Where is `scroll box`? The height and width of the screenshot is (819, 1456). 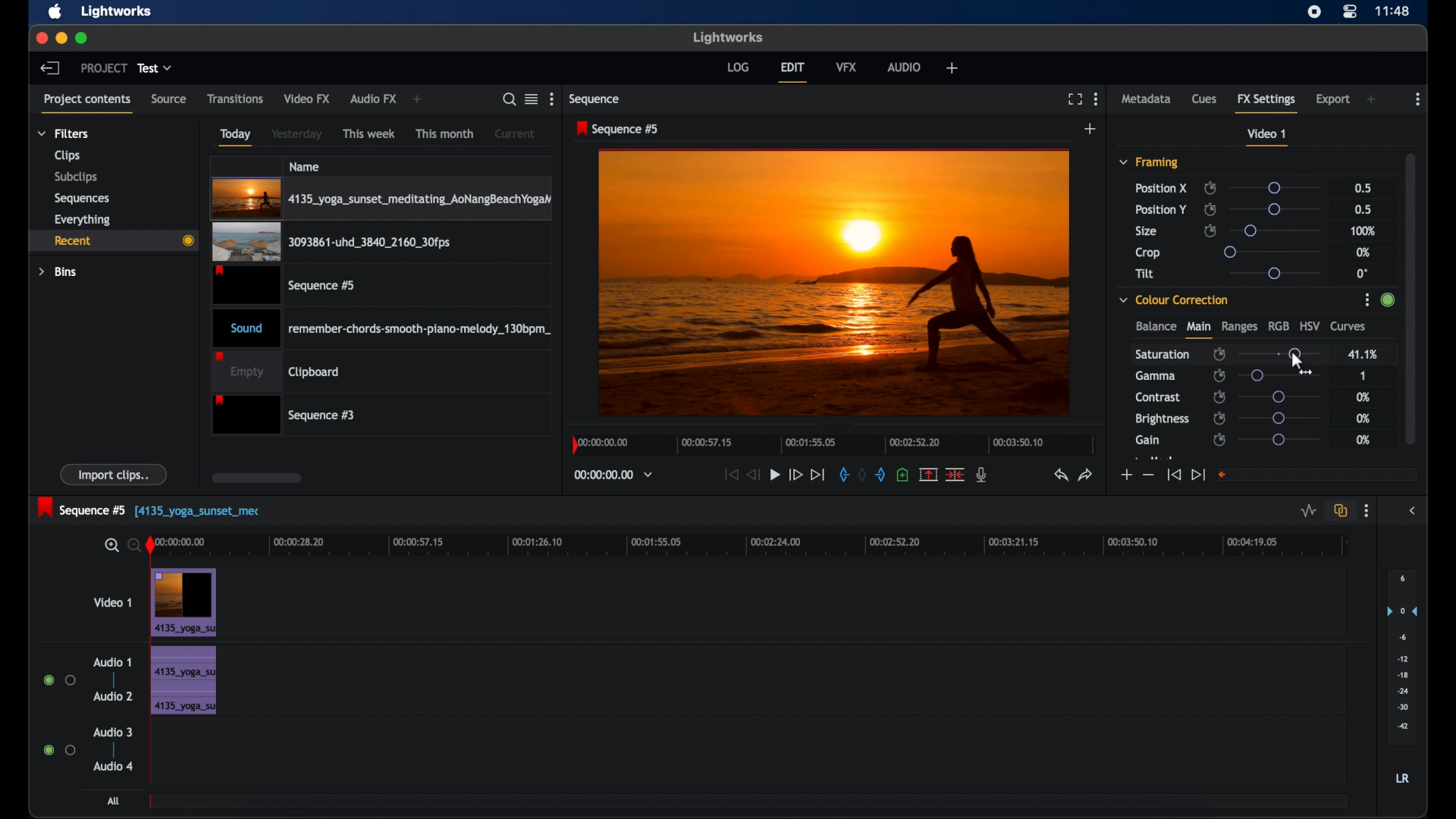
scroll box is located at coordinates (256, 478).